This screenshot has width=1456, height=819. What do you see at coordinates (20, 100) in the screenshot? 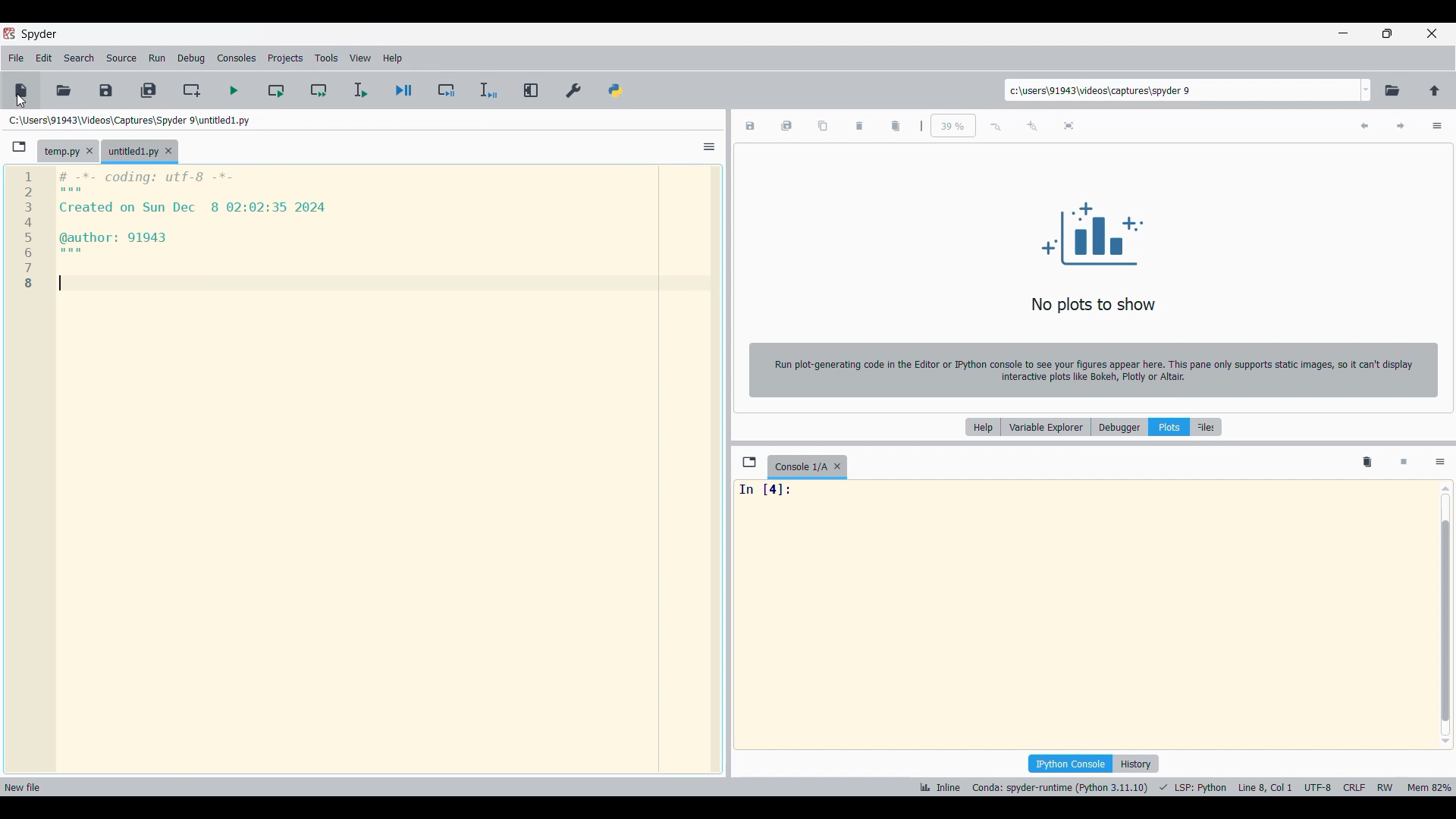
I see `Cursor position unchanged after clicking on New file` at bounding box center [20, 100].